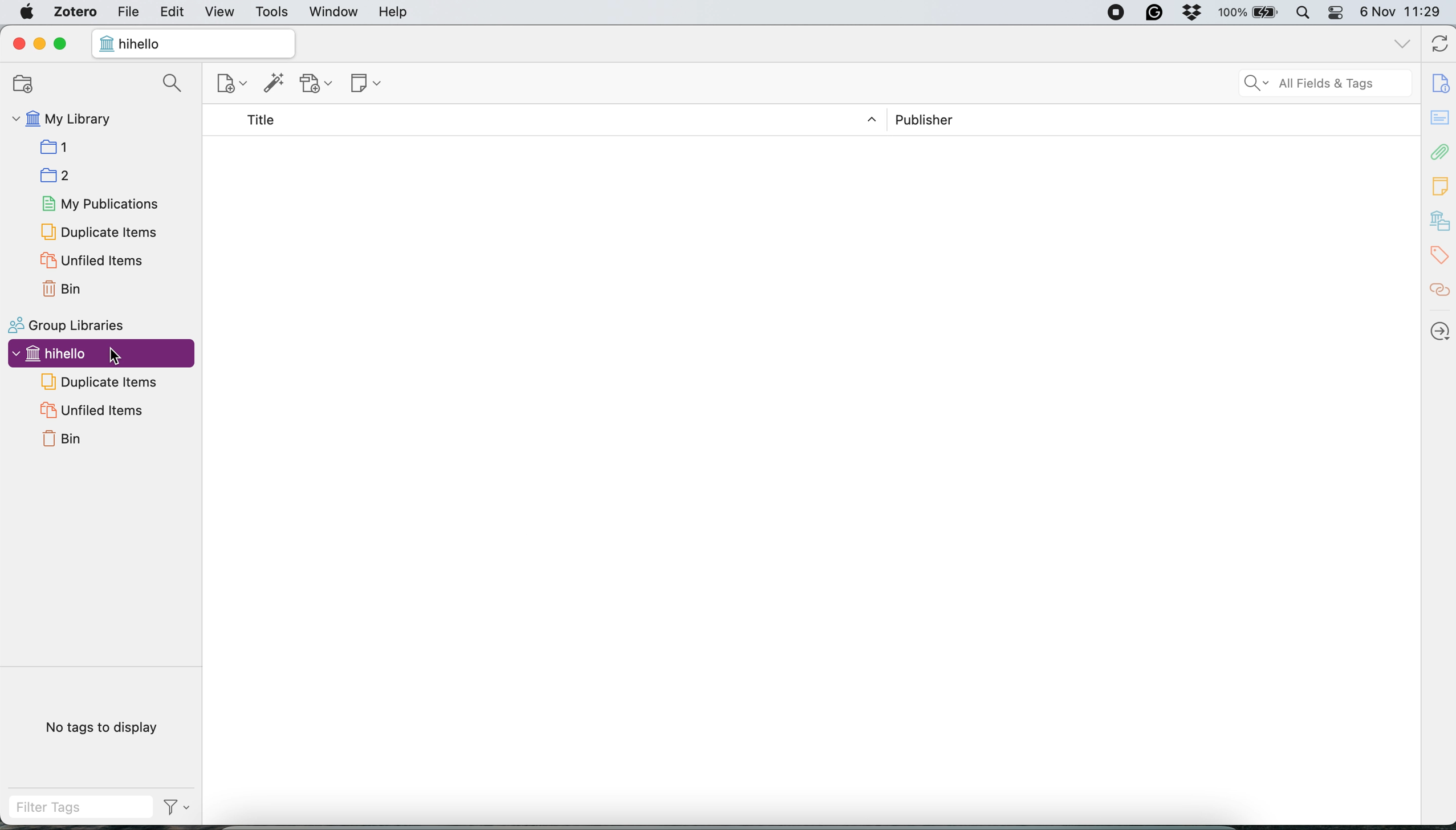 The image size is (1456, 830). Describe the element at coordinates (38, 44) in the screenshot. I see `minimise` at that location.